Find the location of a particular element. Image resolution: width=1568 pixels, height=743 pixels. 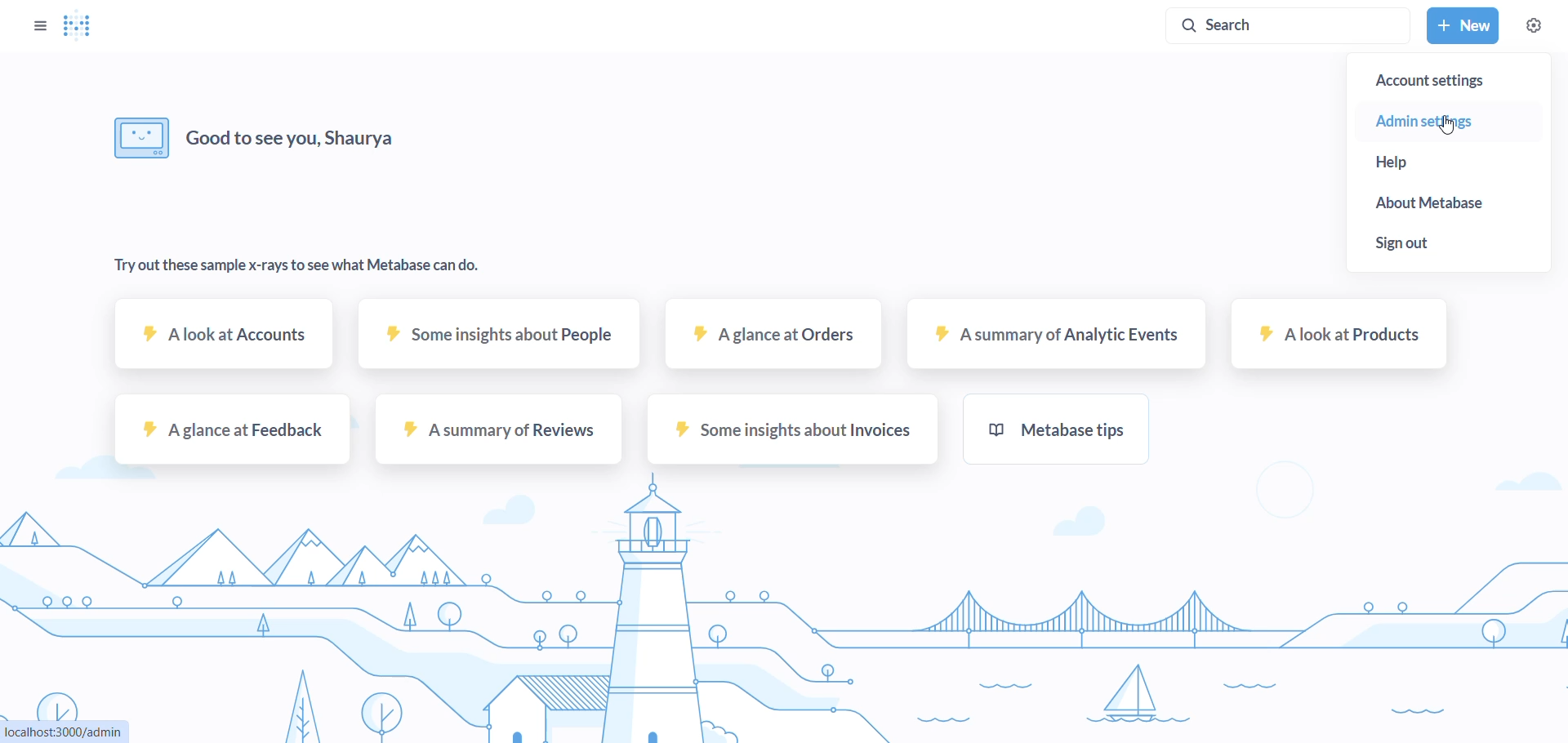

cursor is located at coordinates (1452, 127).